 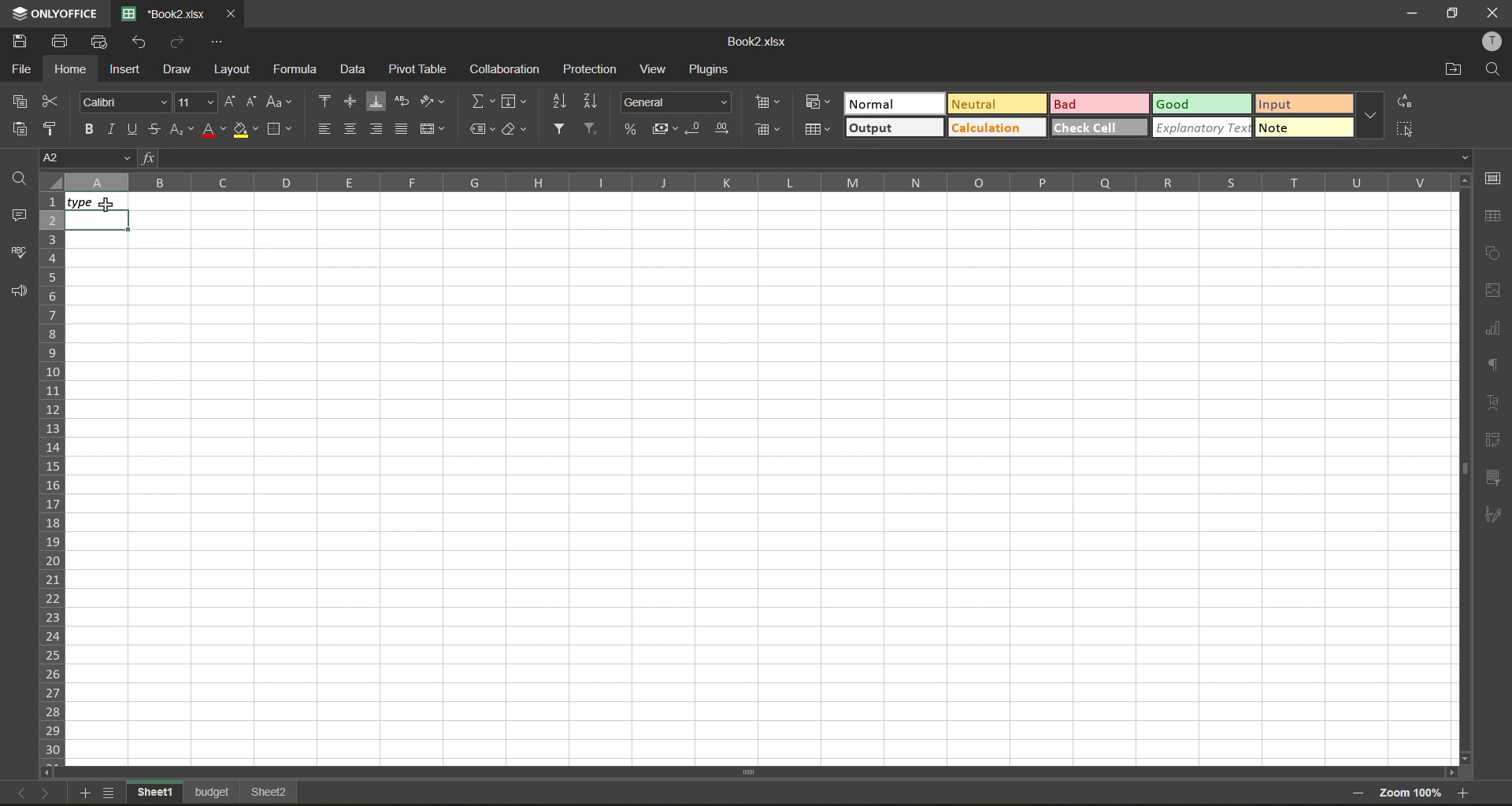 I want to click on orientation, so click(x=433, y=101).